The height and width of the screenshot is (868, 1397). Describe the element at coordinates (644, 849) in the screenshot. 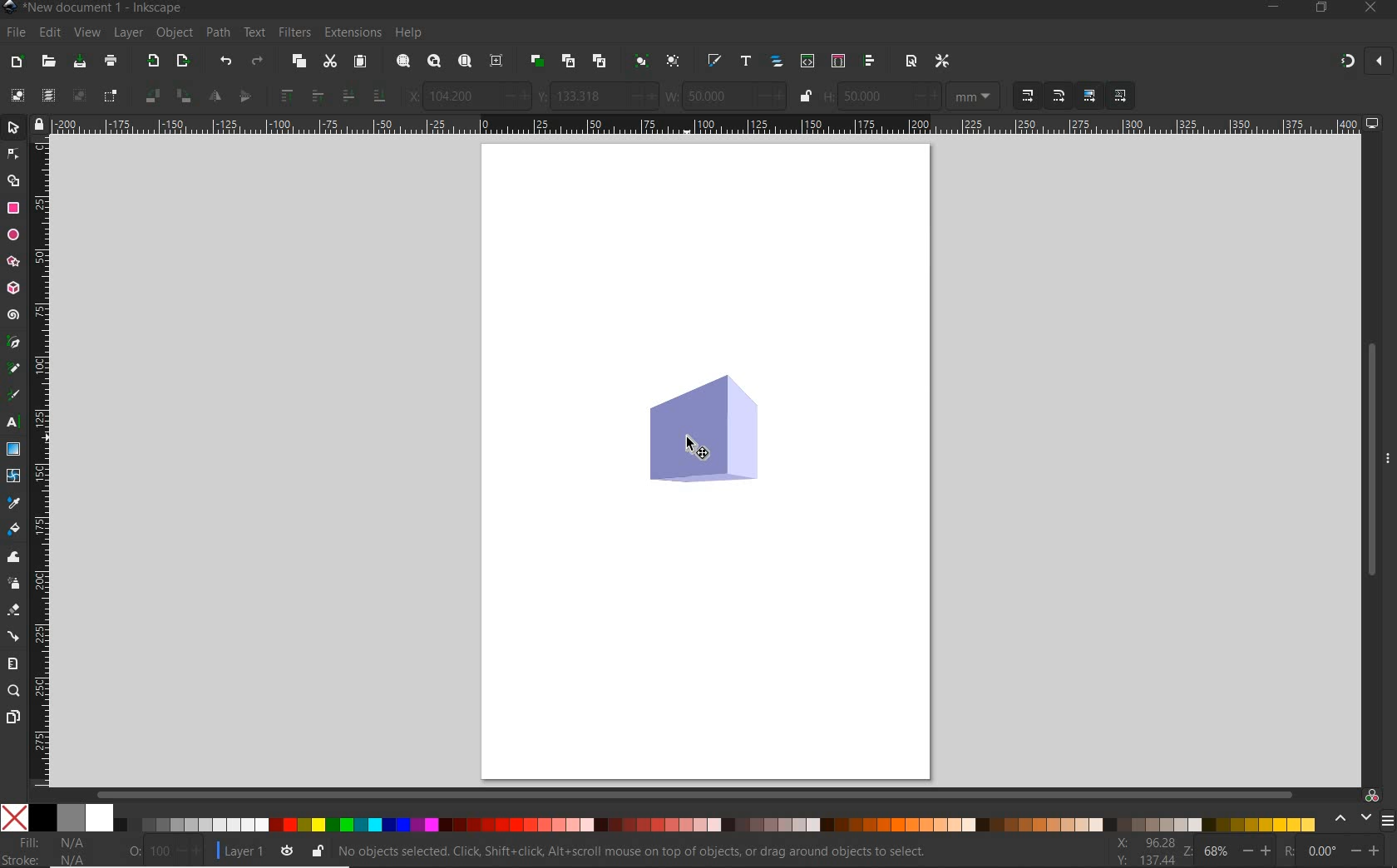

I see `no objects selected` at that location.